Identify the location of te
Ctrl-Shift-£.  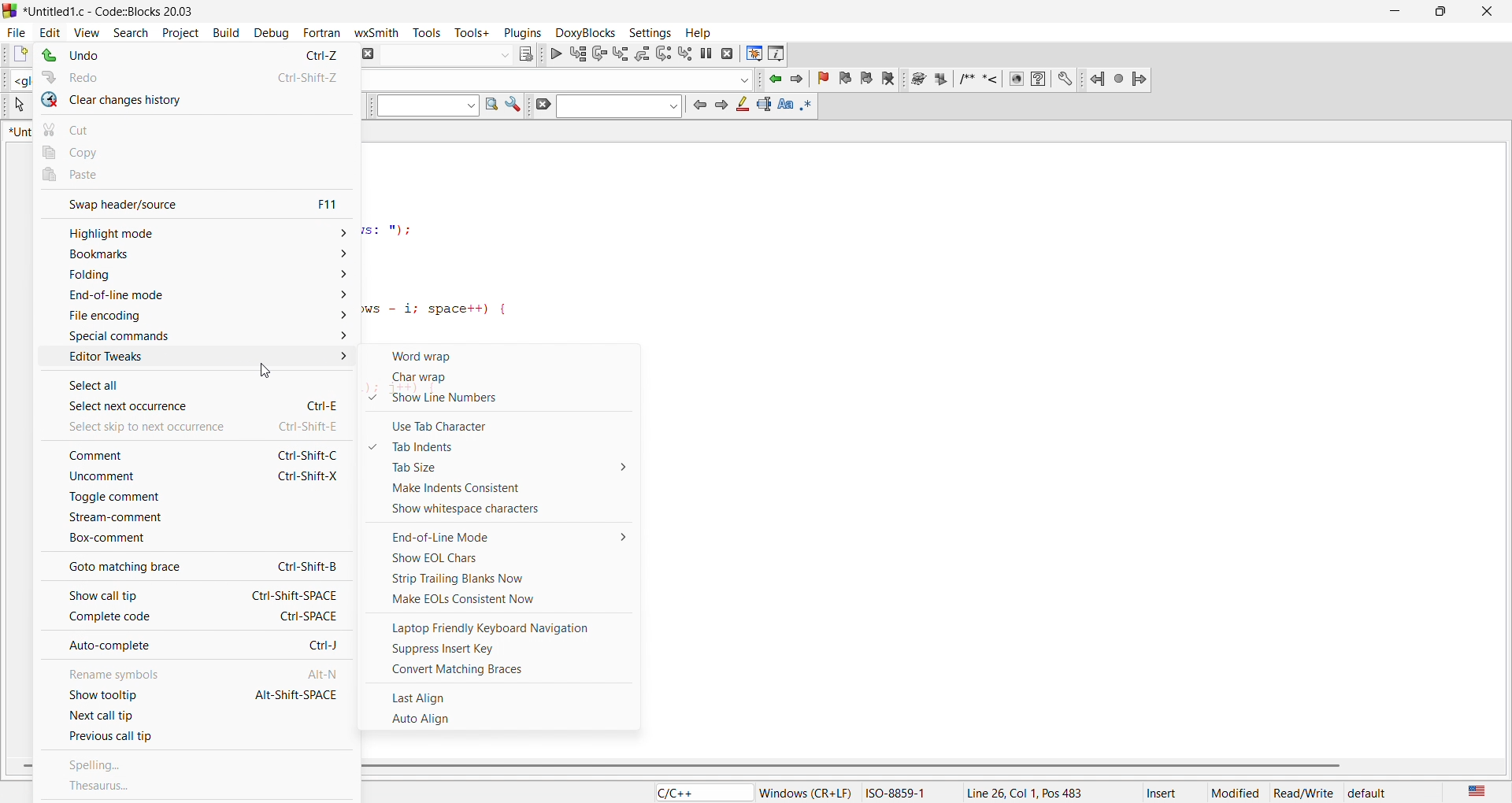
(304, 427).